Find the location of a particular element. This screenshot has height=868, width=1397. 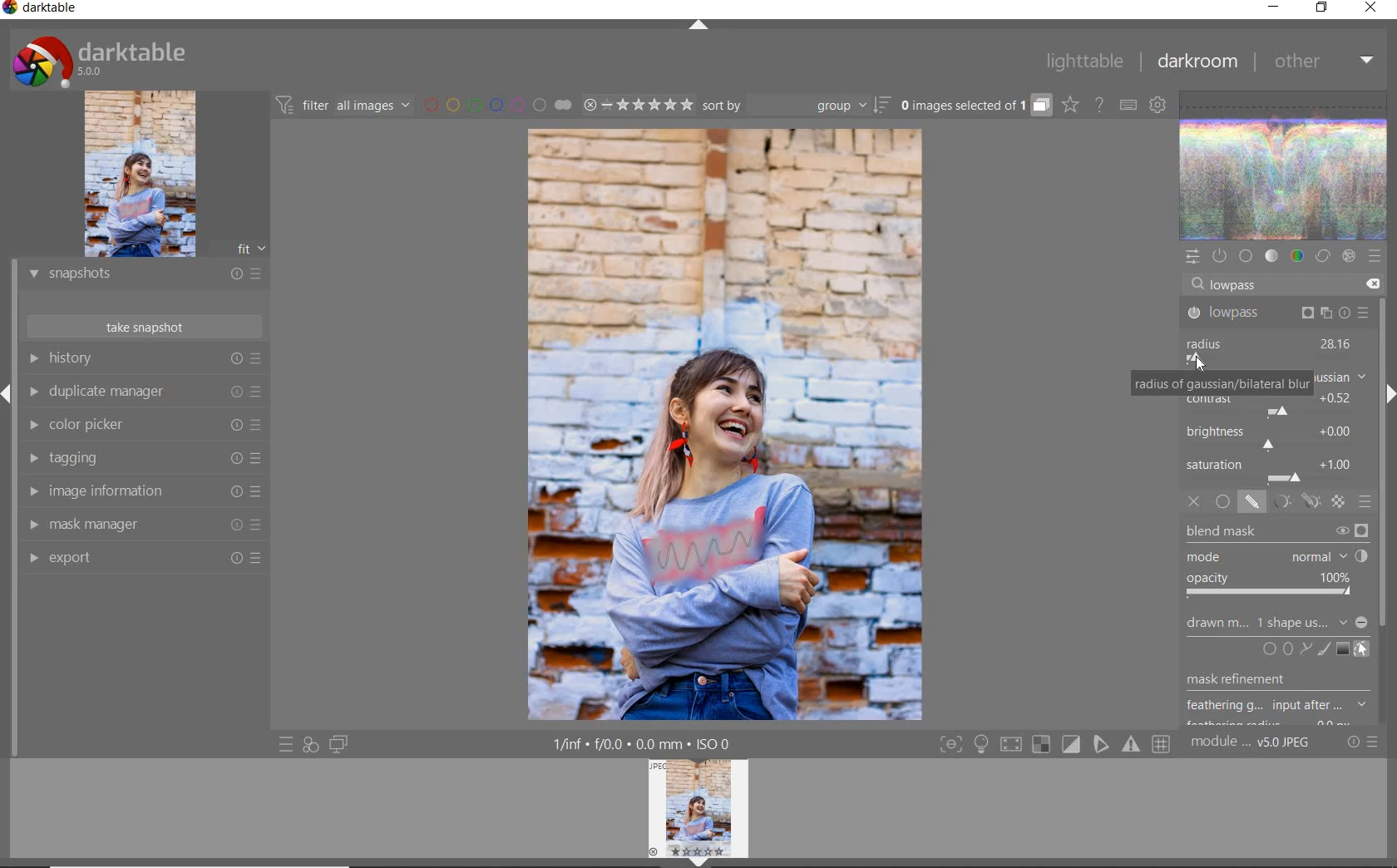

lowpass is located at coordinates (1276, 313).